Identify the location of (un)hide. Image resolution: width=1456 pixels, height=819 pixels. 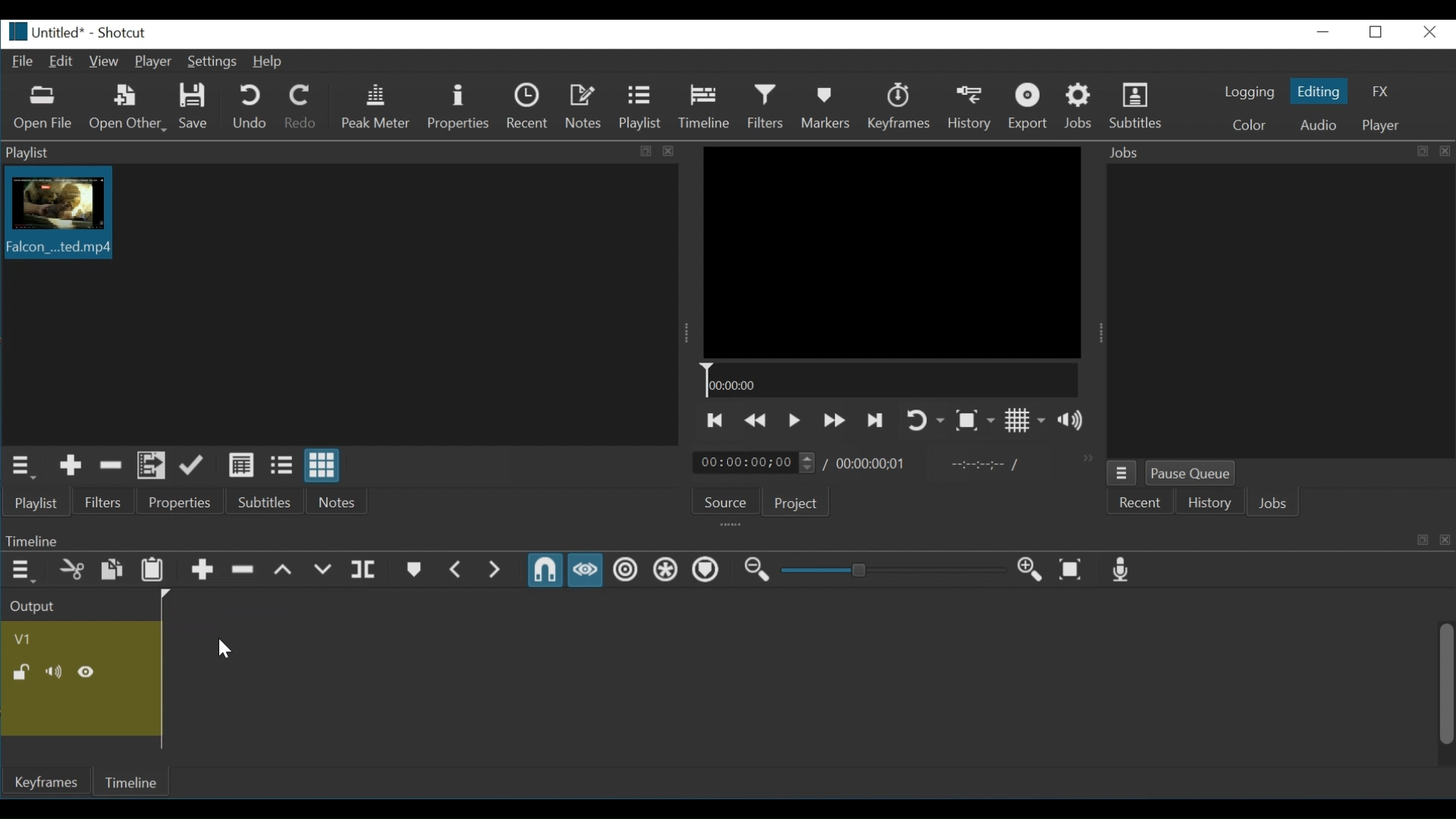
(87, 671).